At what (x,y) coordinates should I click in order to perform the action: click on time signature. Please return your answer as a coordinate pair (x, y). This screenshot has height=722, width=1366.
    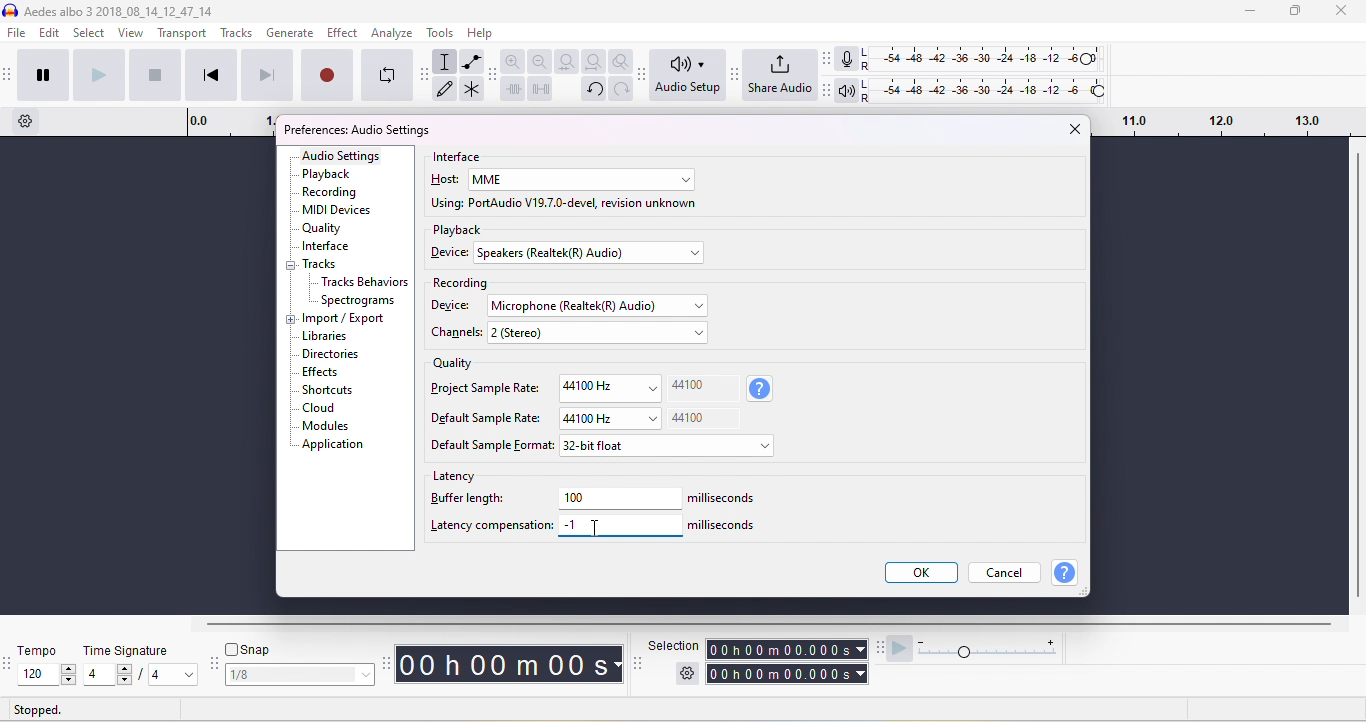
    Looking at the image, I should click on (127, 650).